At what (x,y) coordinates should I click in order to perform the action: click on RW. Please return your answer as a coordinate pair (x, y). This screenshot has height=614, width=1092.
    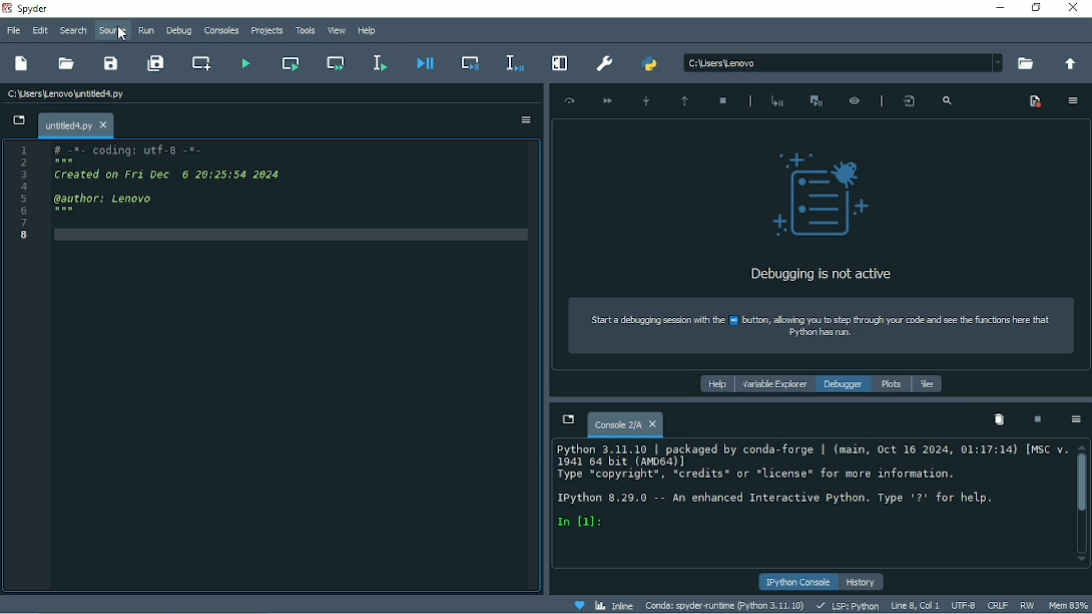
    Looking at the image, I should click on (1028, 605).